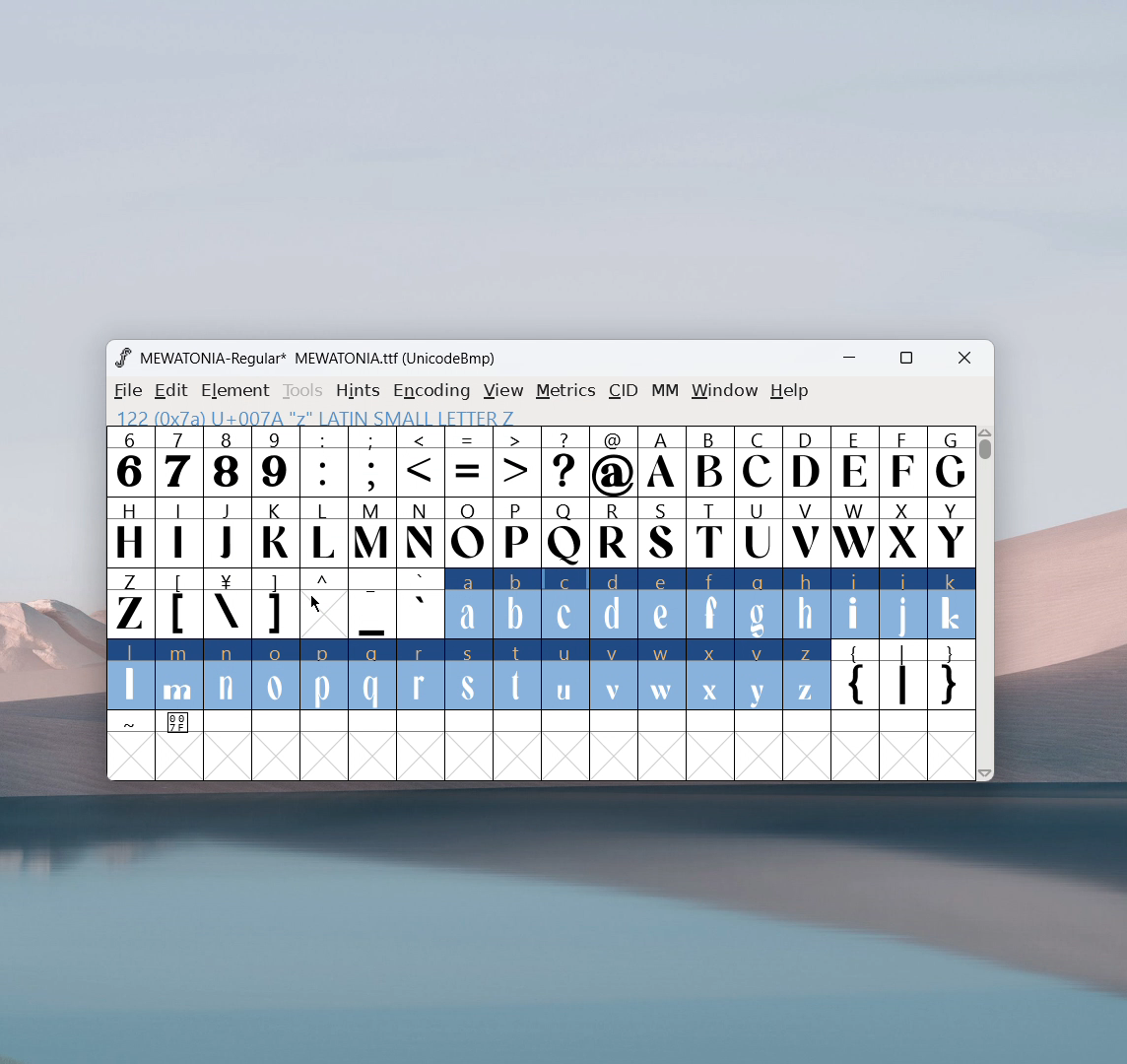 The height and width of the screenshot is (1064, 1127). I want to click on edit, so click(172, 391).